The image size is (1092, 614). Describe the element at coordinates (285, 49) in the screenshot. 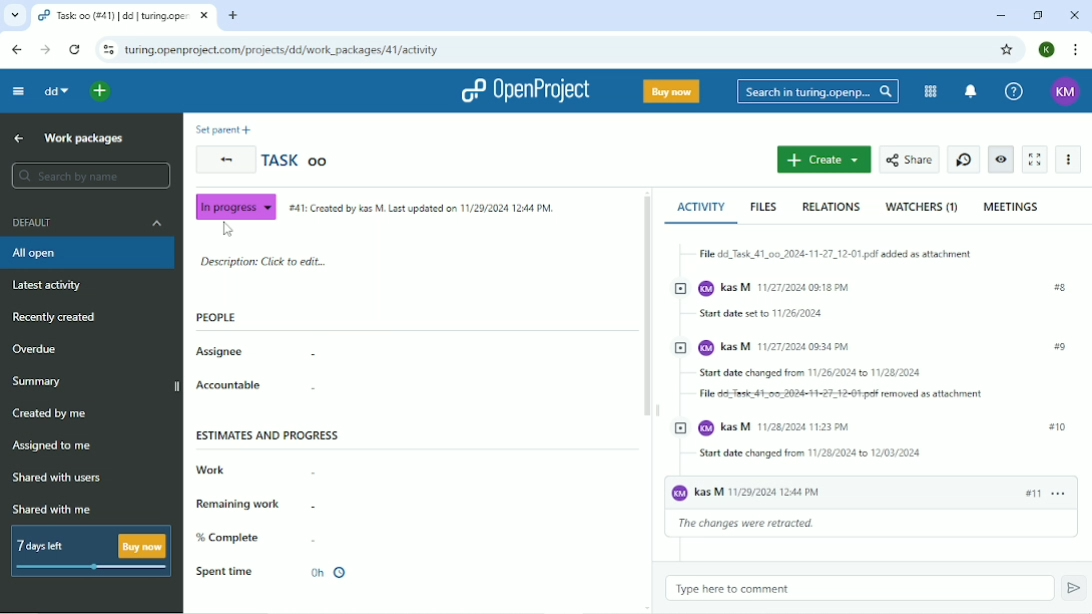

I see `Site` at that location.